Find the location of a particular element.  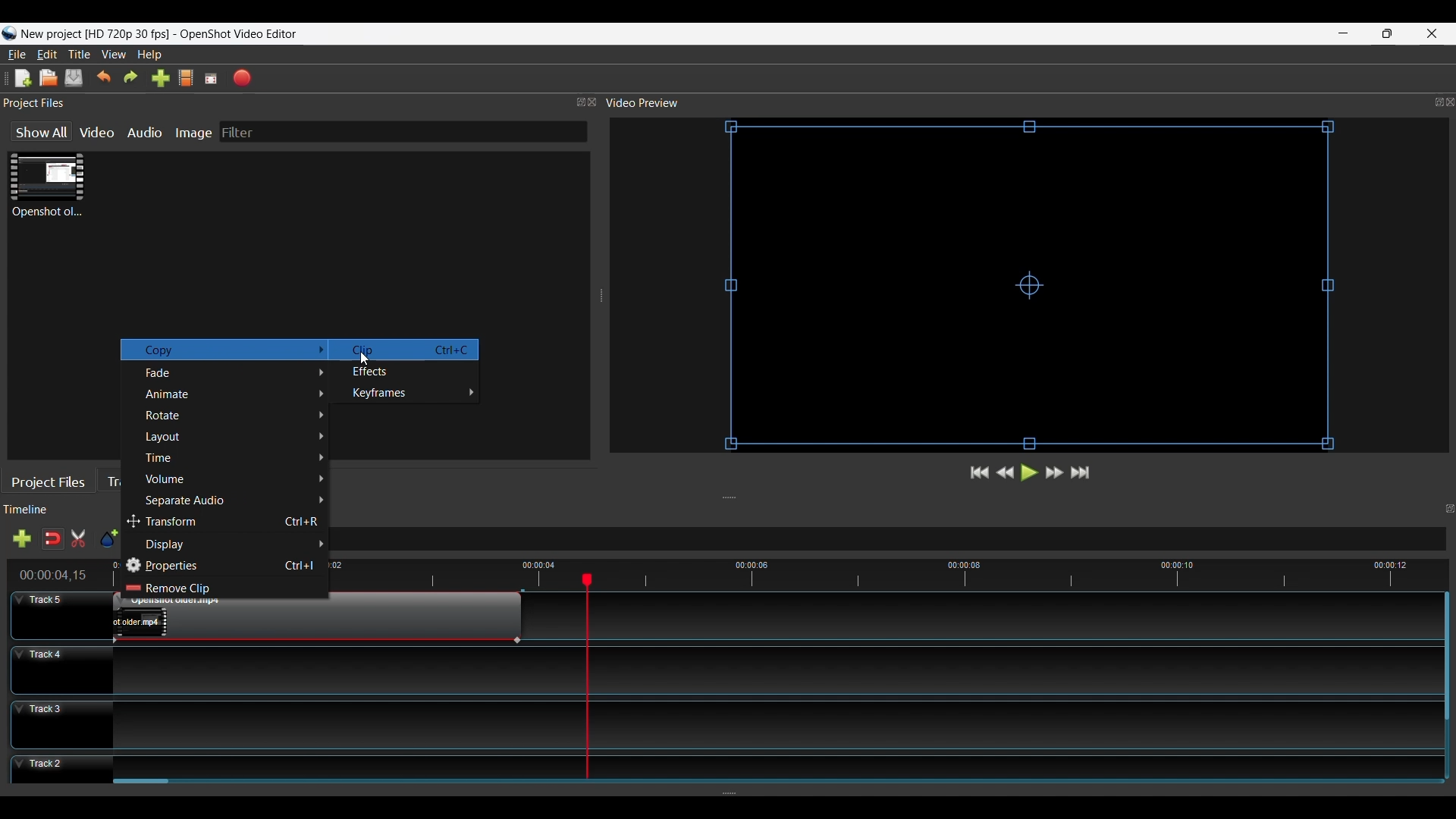

Jump to End is located at coordinates (1082, 473).